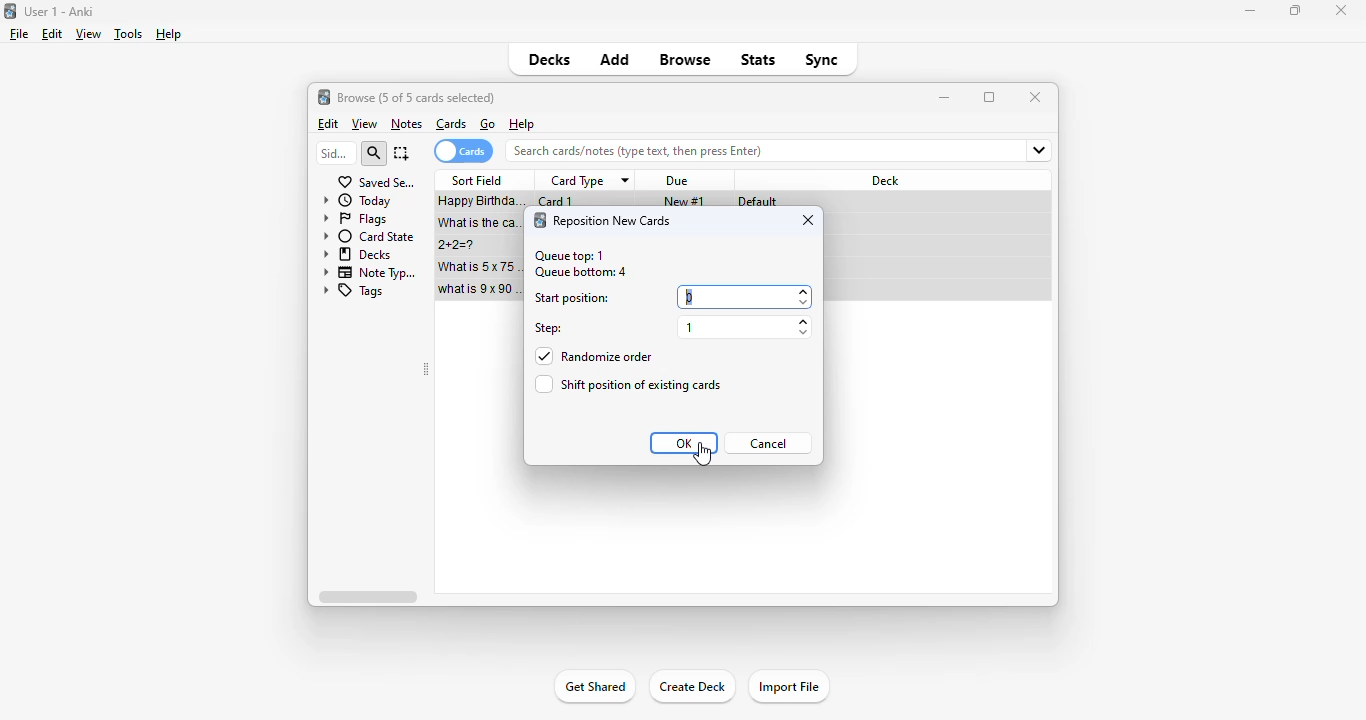  I want to click on sync, so click(823, 60).